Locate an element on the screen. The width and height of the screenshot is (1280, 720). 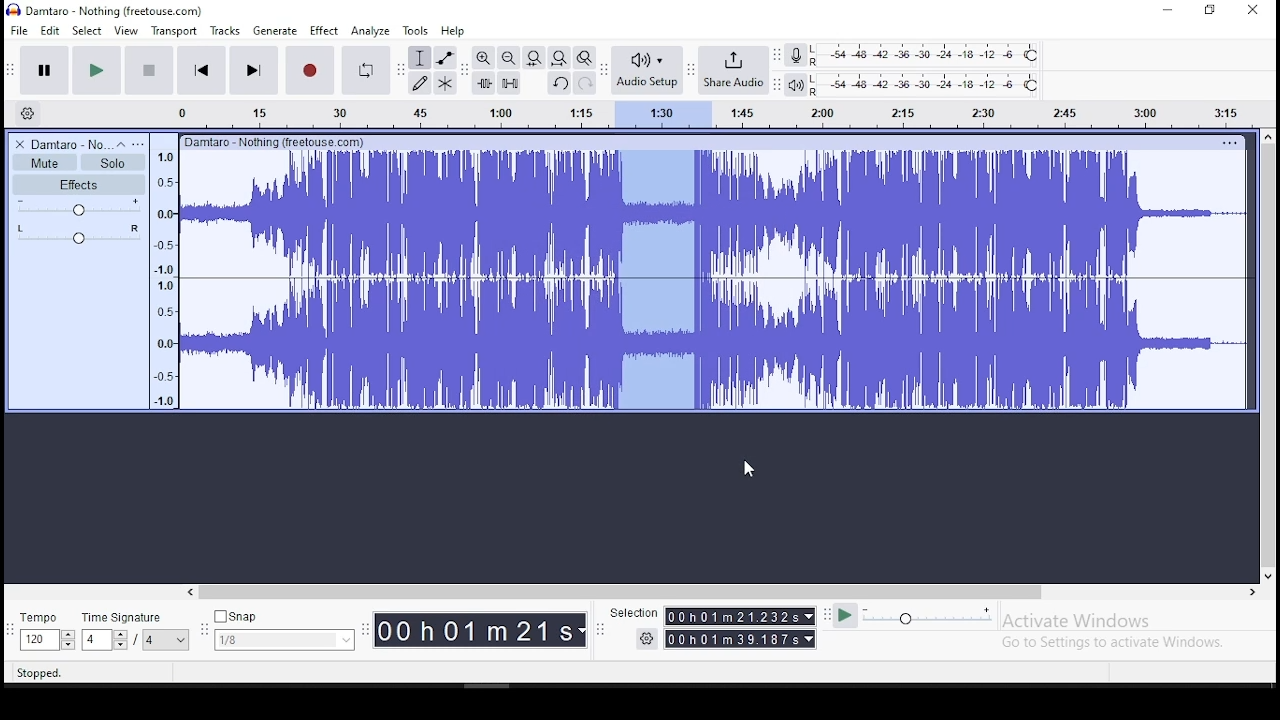
Snap is located at coordinates (284, 617).